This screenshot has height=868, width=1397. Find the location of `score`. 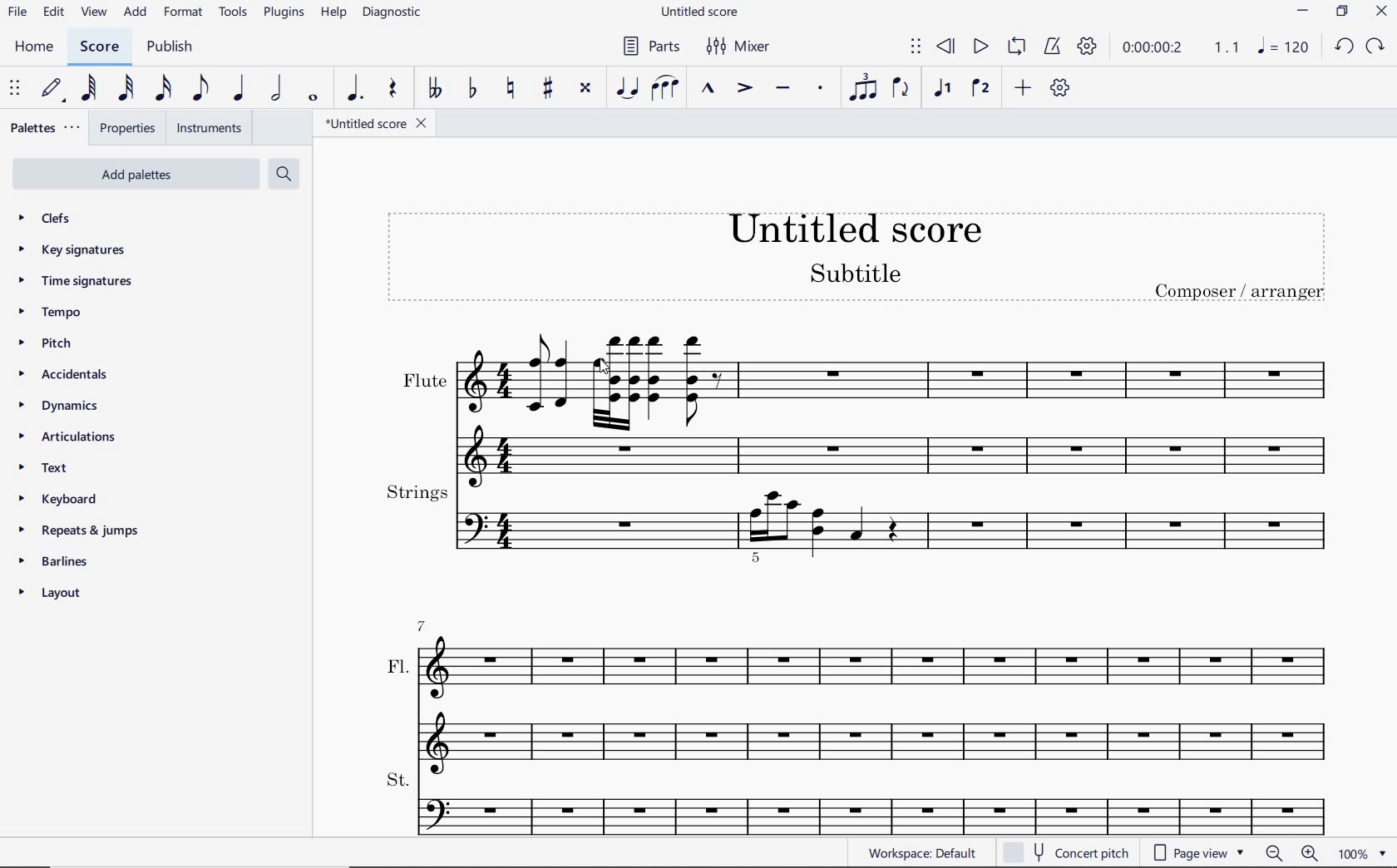

score is located at coordinates (99, 46).